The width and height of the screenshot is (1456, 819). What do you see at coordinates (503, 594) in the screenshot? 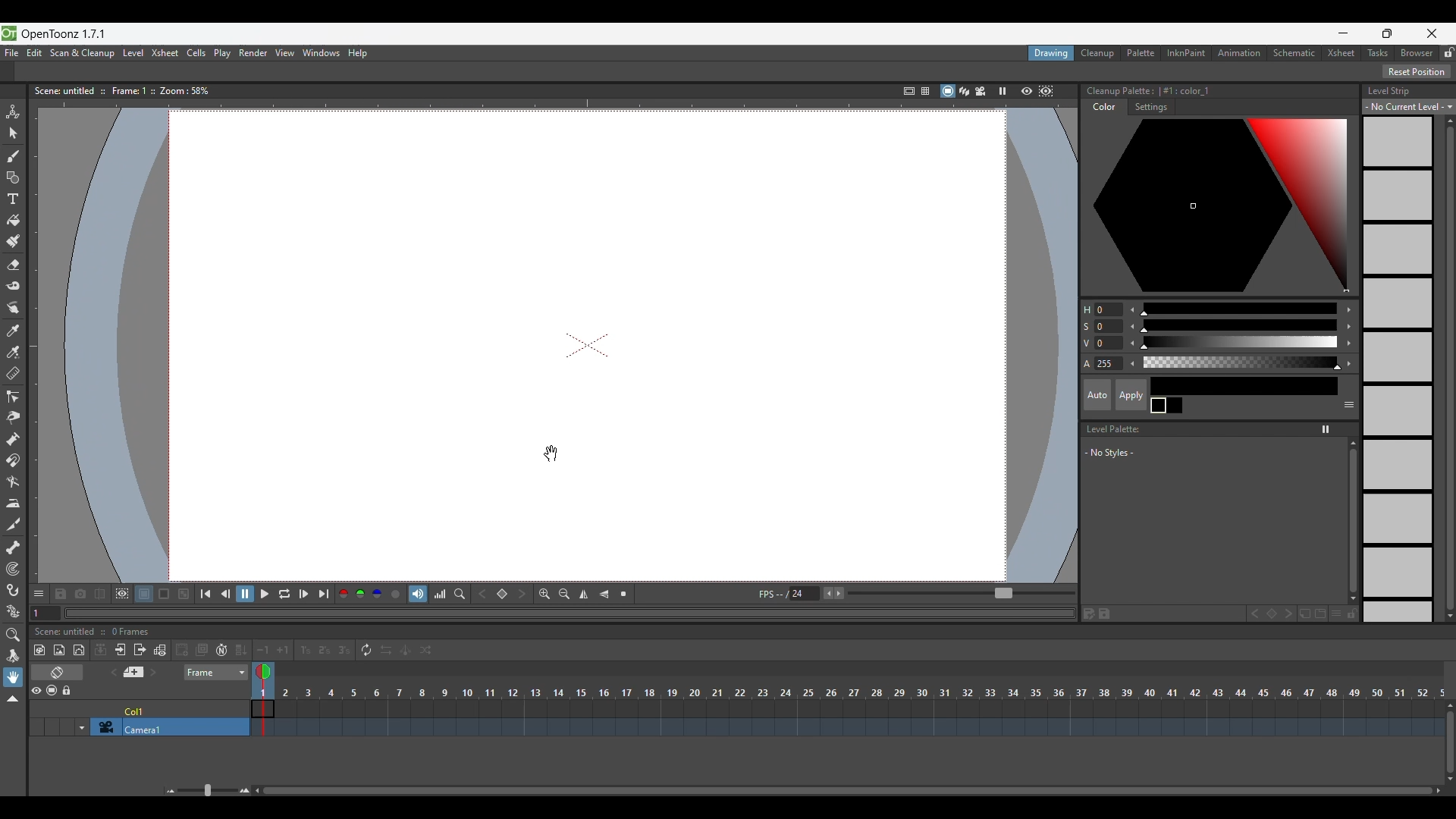
I see `Set key` at bounding box center [503, 594].